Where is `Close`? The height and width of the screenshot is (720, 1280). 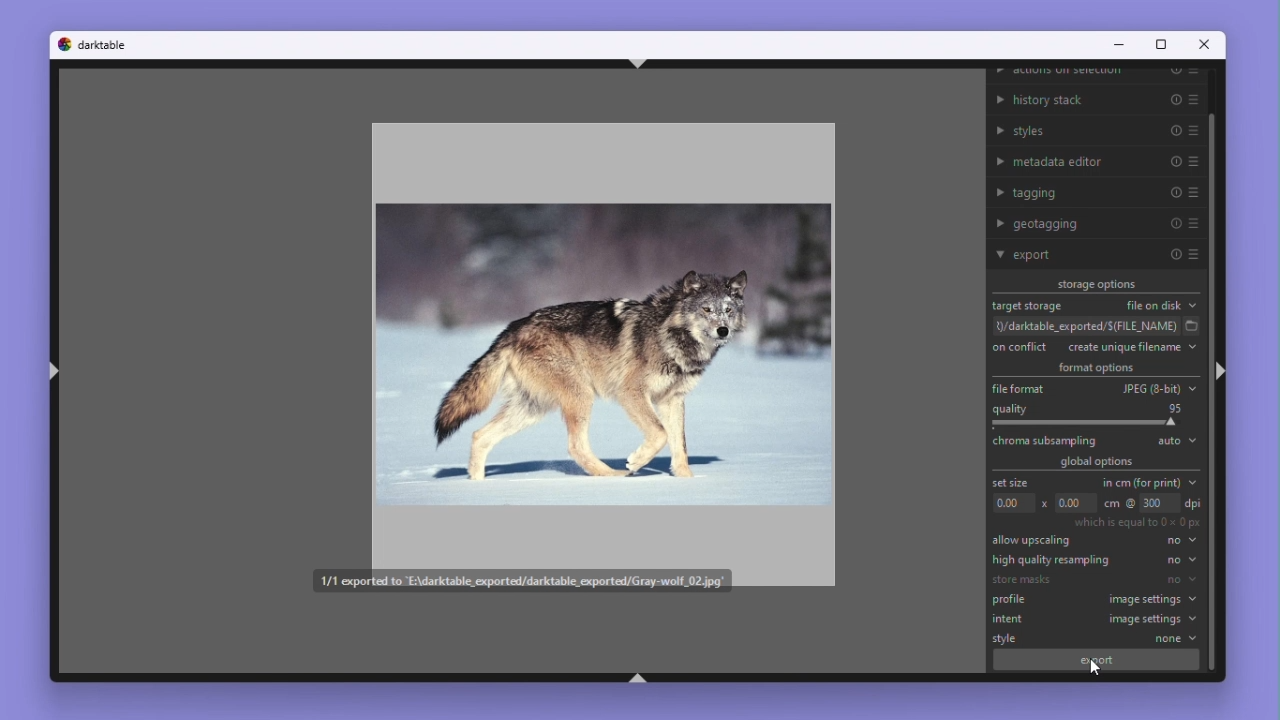
Close is located at coordinates (1206, 44).